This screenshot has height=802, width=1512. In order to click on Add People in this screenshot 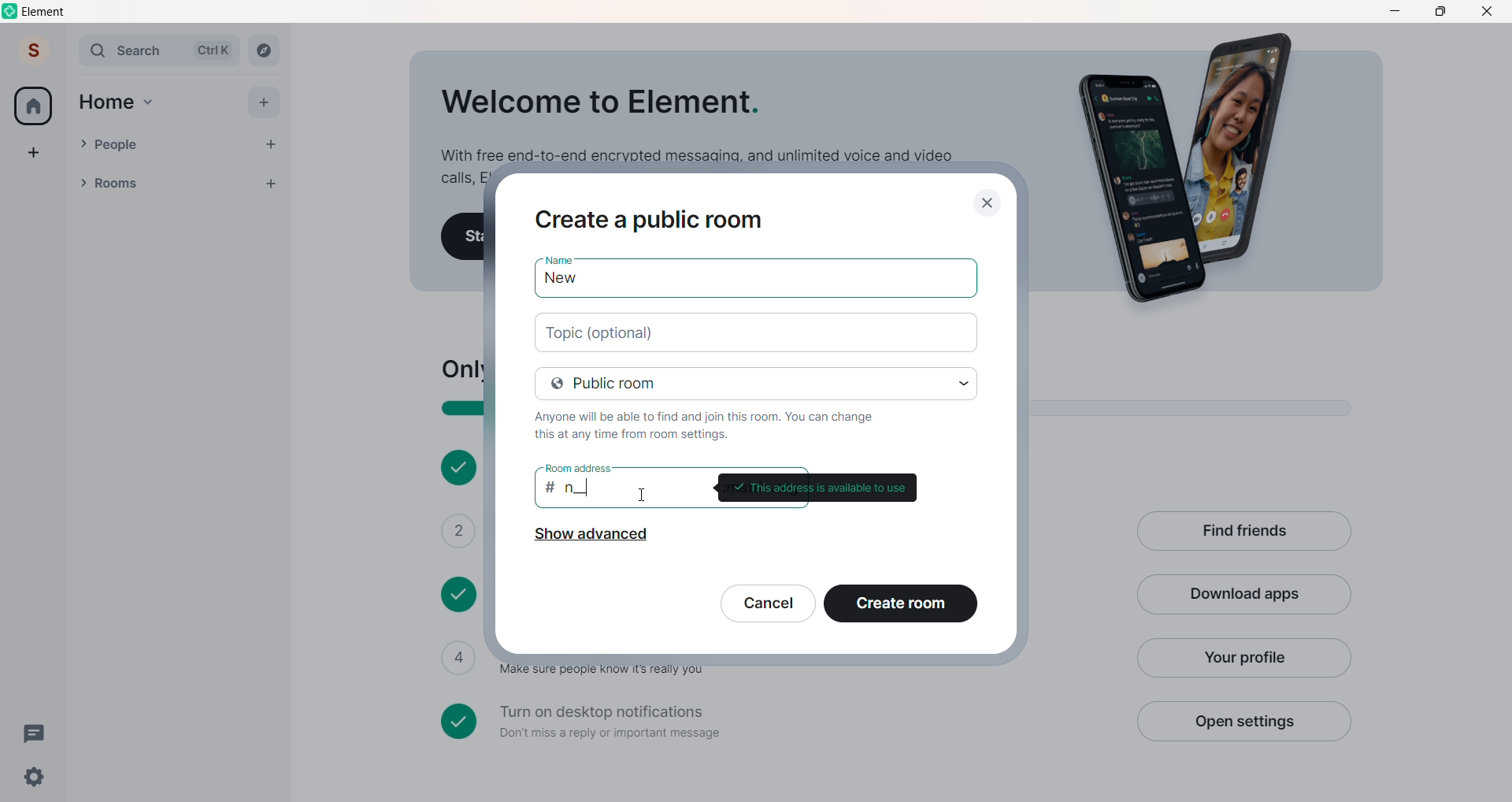, I will do `click(271, 145)`.